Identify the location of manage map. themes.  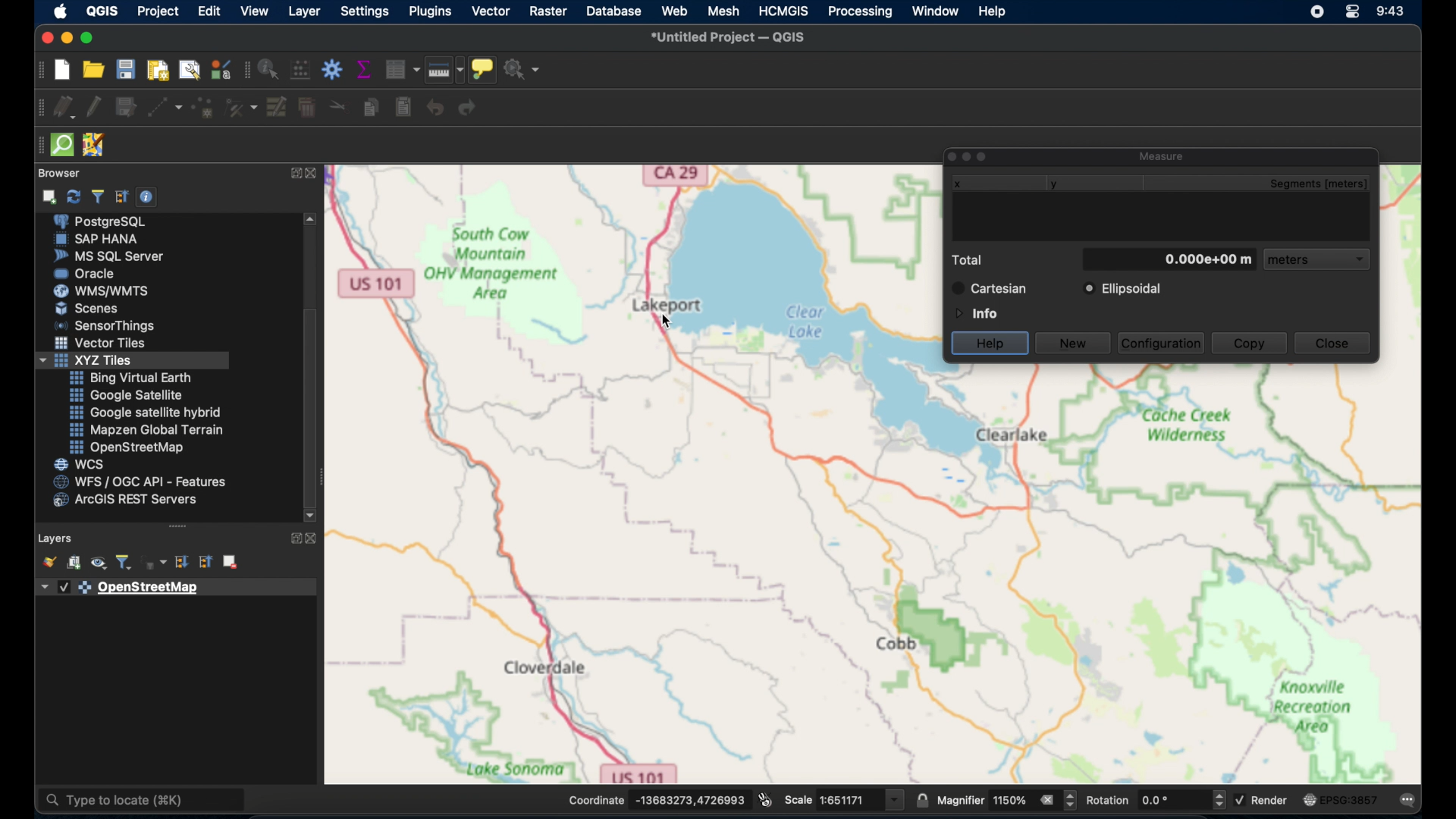
(97, 564).